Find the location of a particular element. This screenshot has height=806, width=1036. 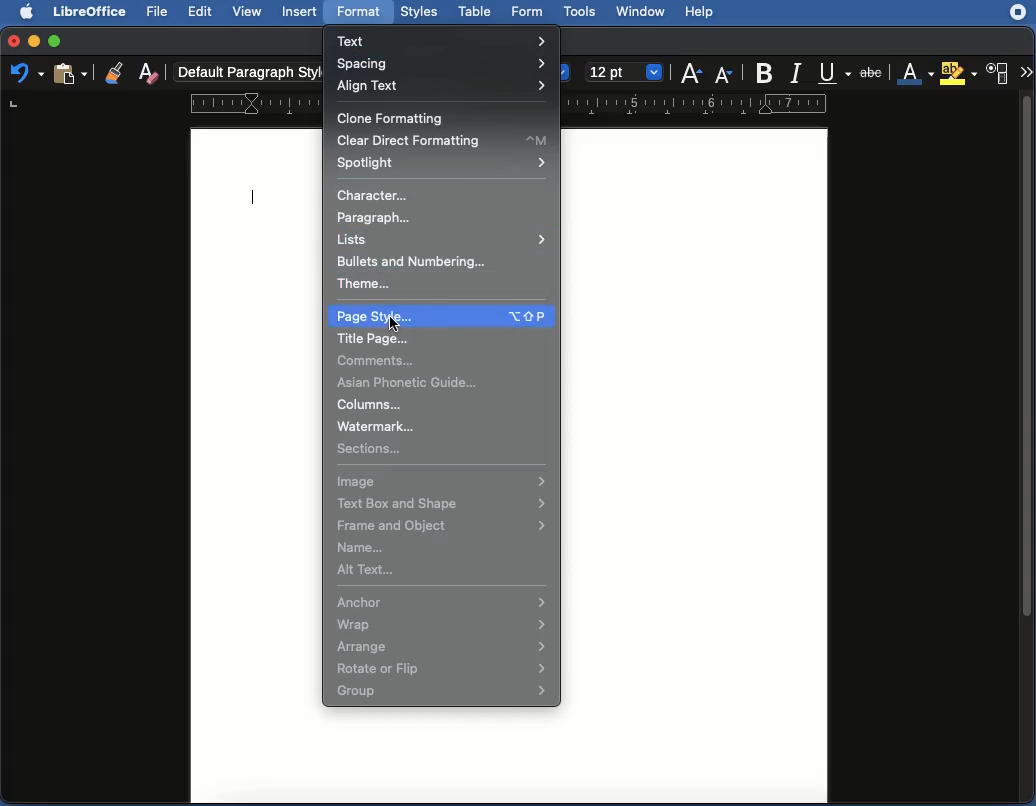

Clipboard is located at coordinates (72, 76).